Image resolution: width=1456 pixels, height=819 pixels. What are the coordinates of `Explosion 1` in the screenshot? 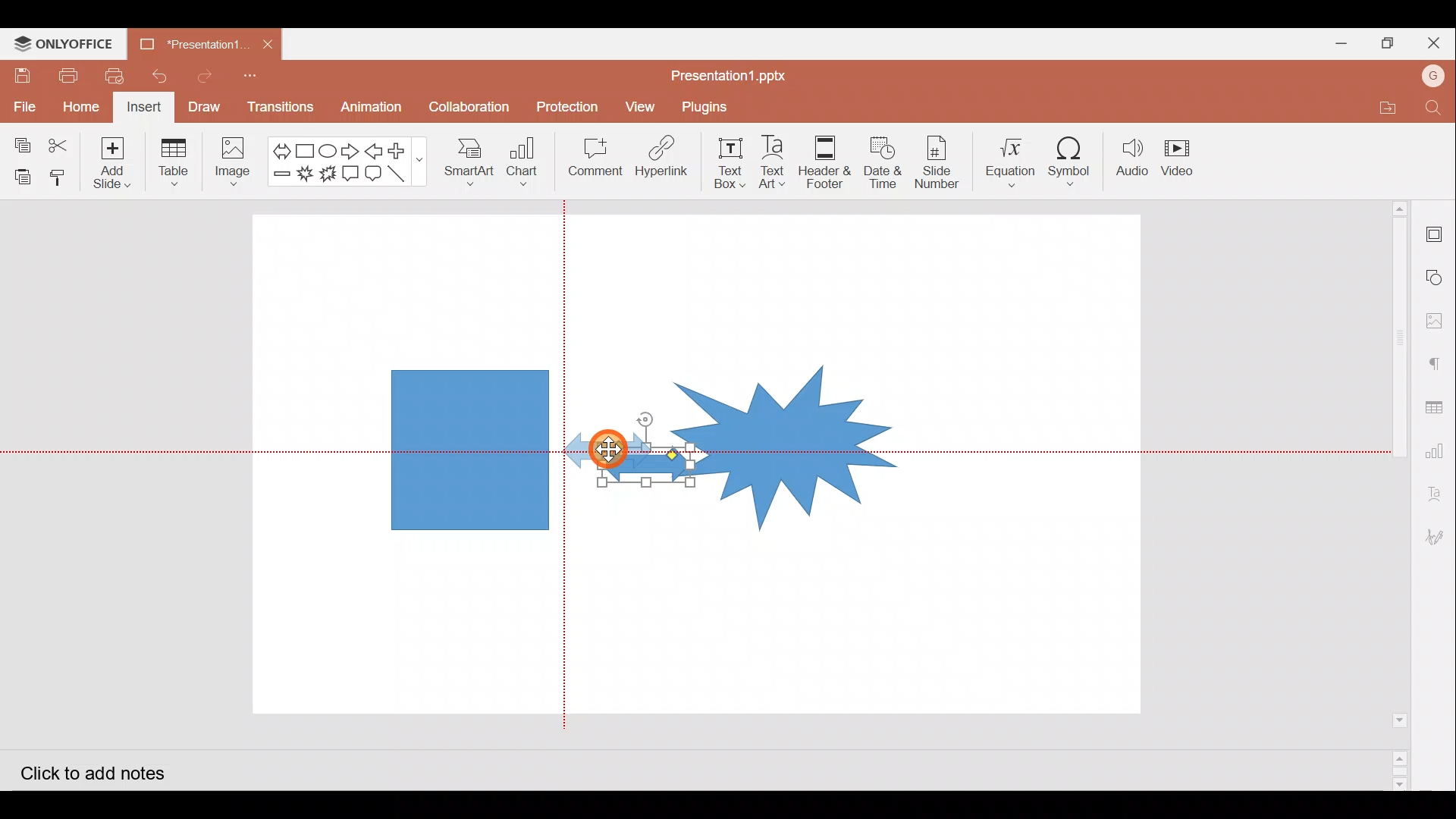 It's located at (305, 174).